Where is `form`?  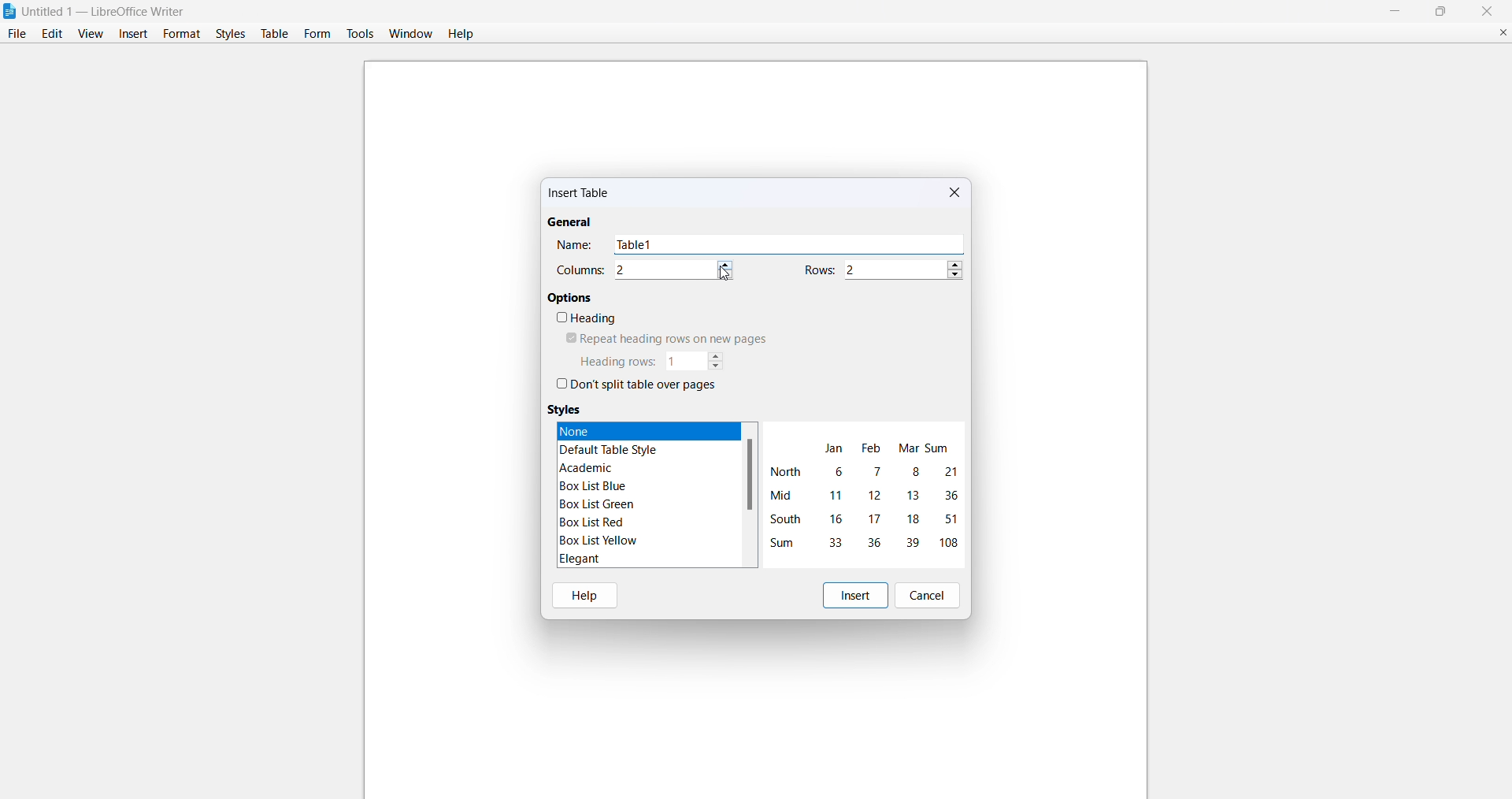
form is located at coordinates (317, 33).